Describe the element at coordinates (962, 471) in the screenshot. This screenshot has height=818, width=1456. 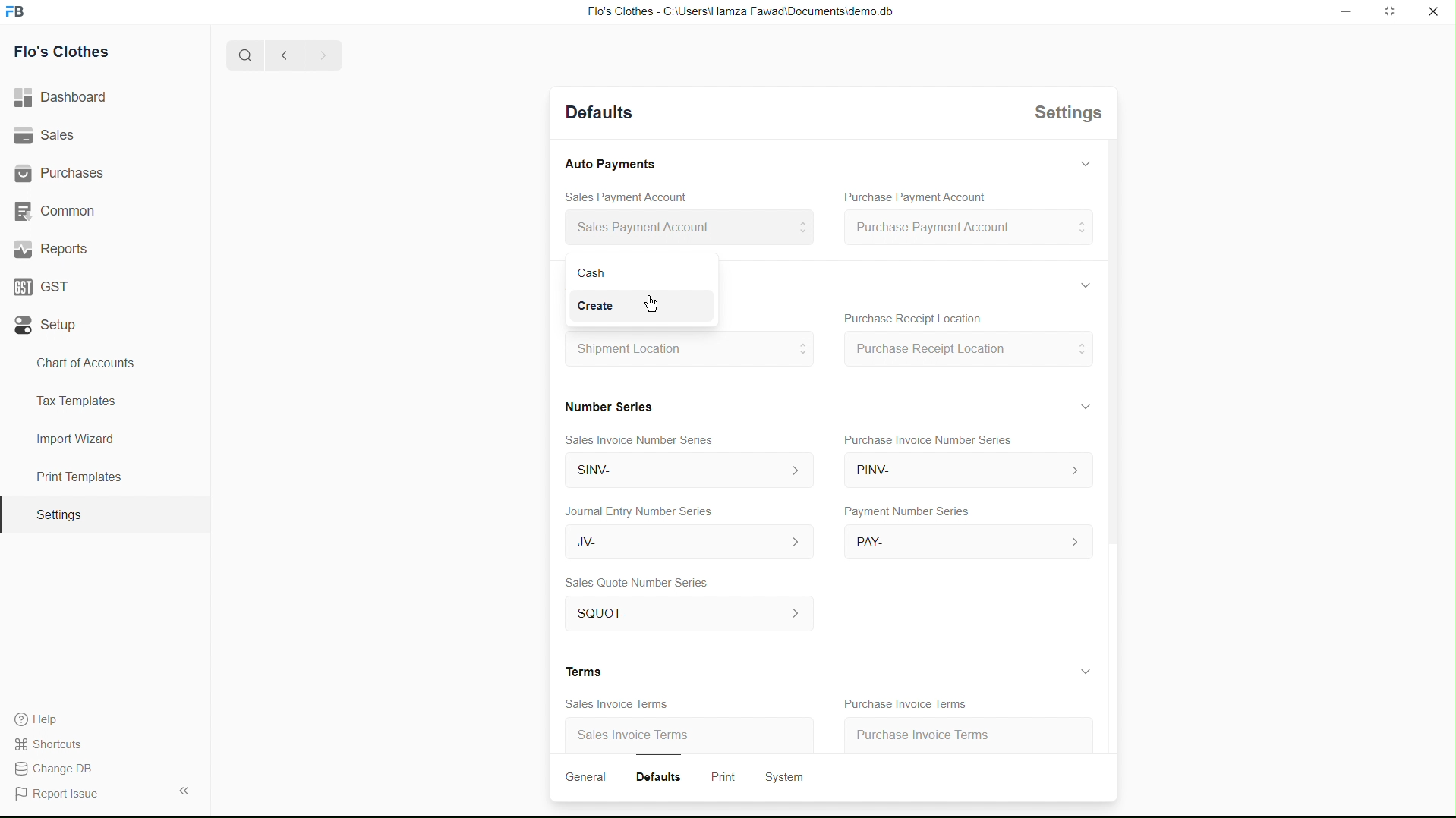
I see `PINV-` at that location.